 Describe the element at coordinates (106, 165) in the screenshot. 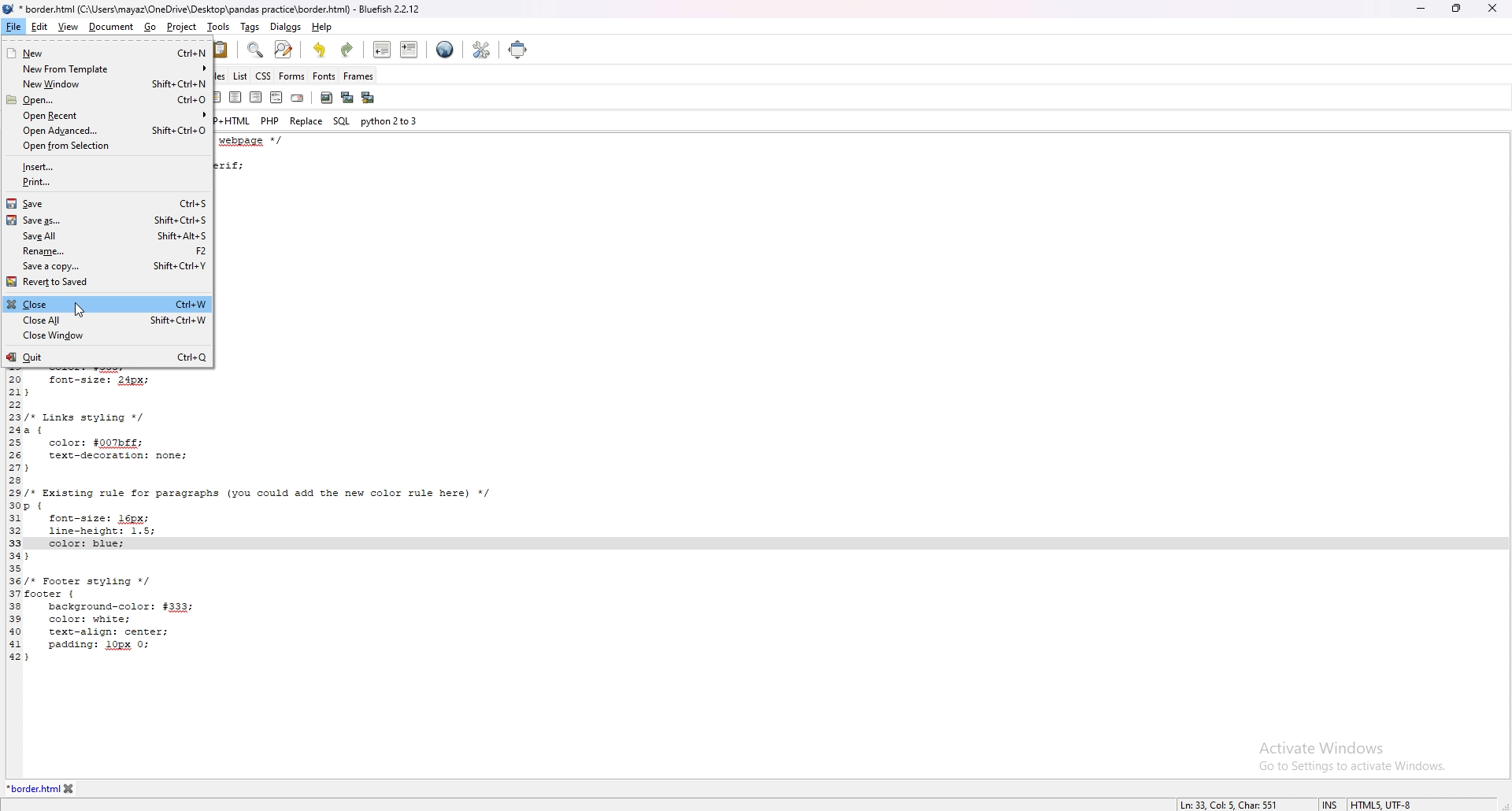

I see `insert` at that location.